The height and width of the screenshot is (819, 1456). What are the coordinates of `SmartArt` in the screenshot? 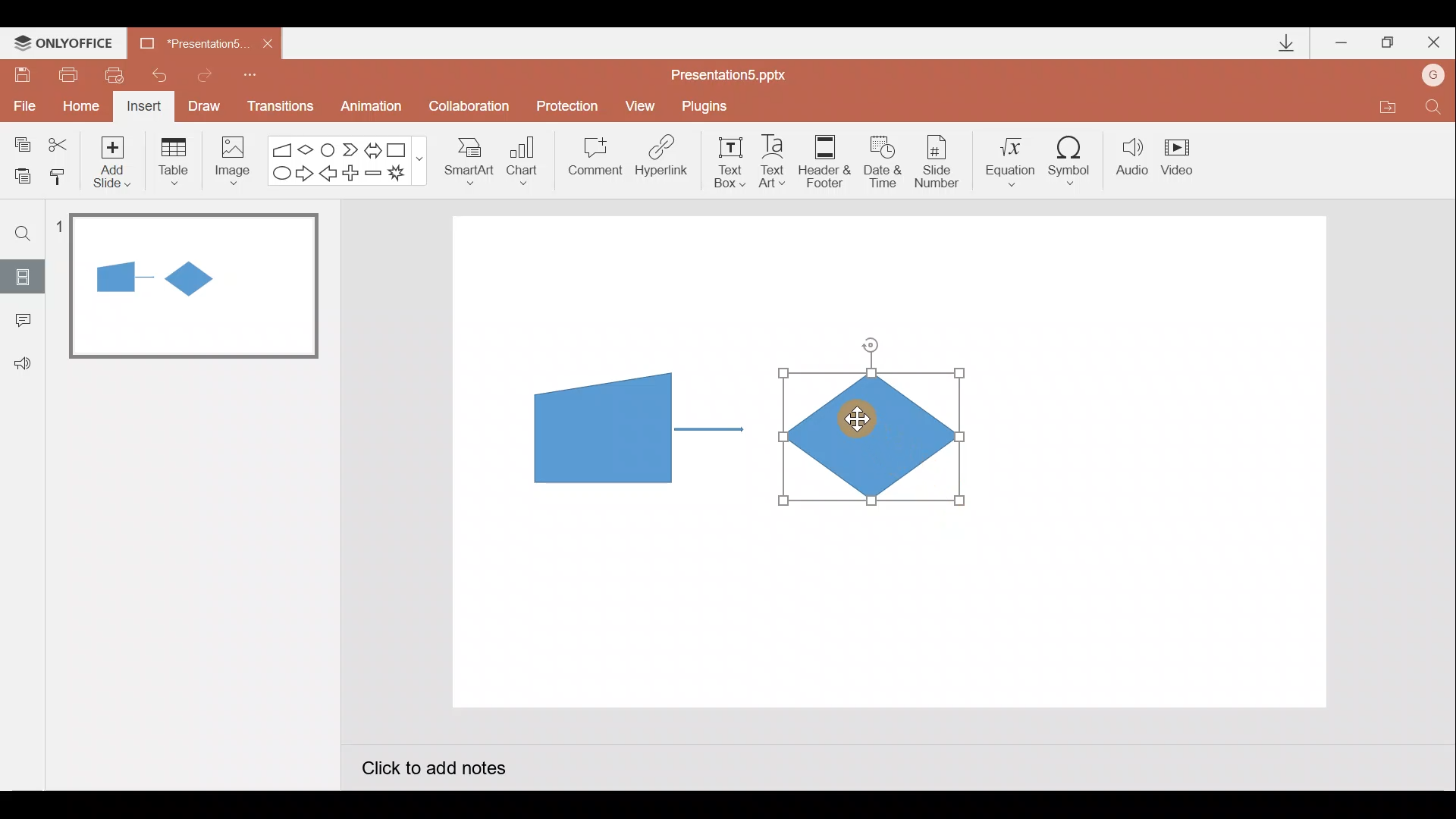 It's located at (463, 160).